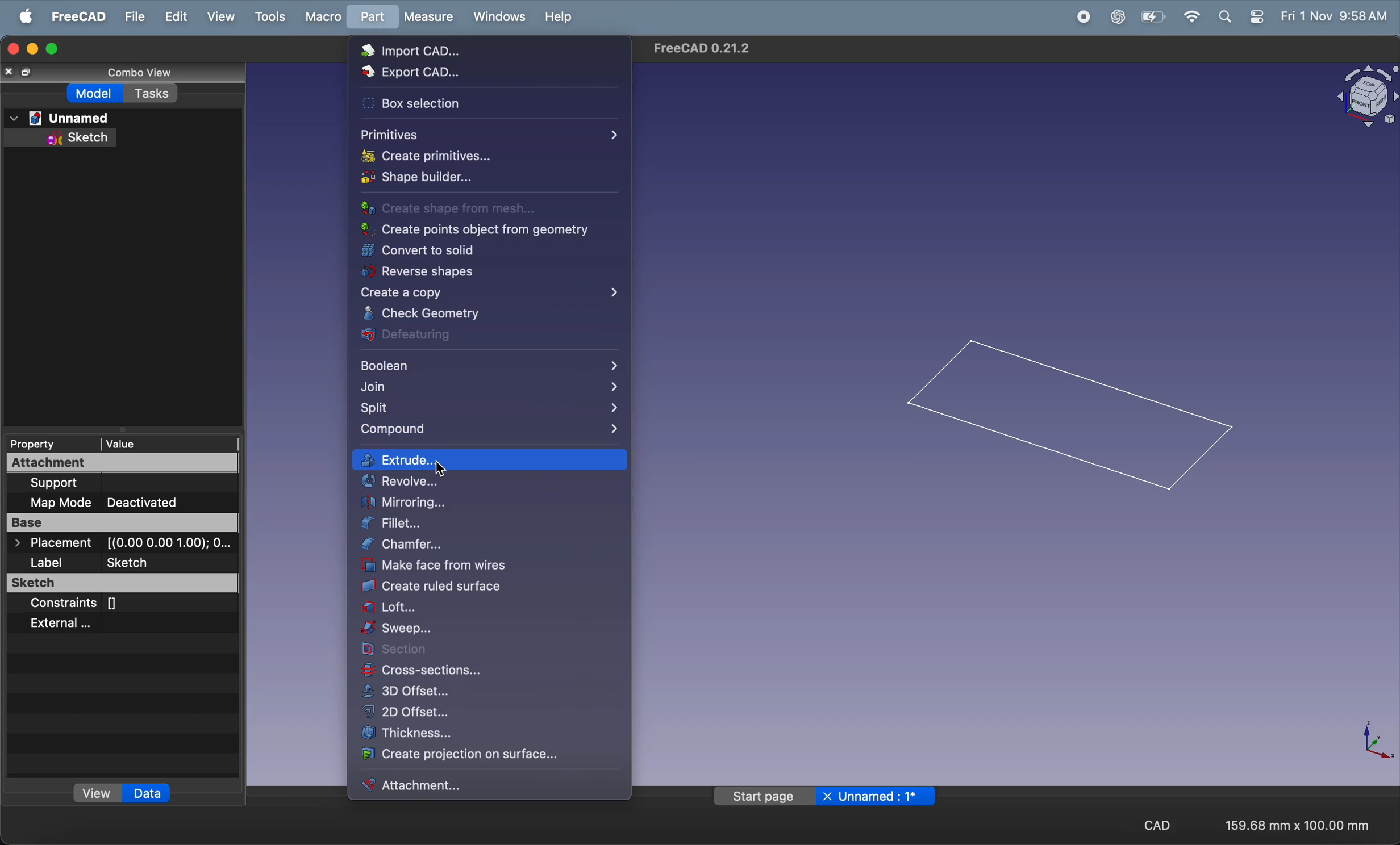 This screenshot has height=845, width=1400. Describe the element at coordinates (490, 503) in the screenshot. I see `mirroring` at that location.